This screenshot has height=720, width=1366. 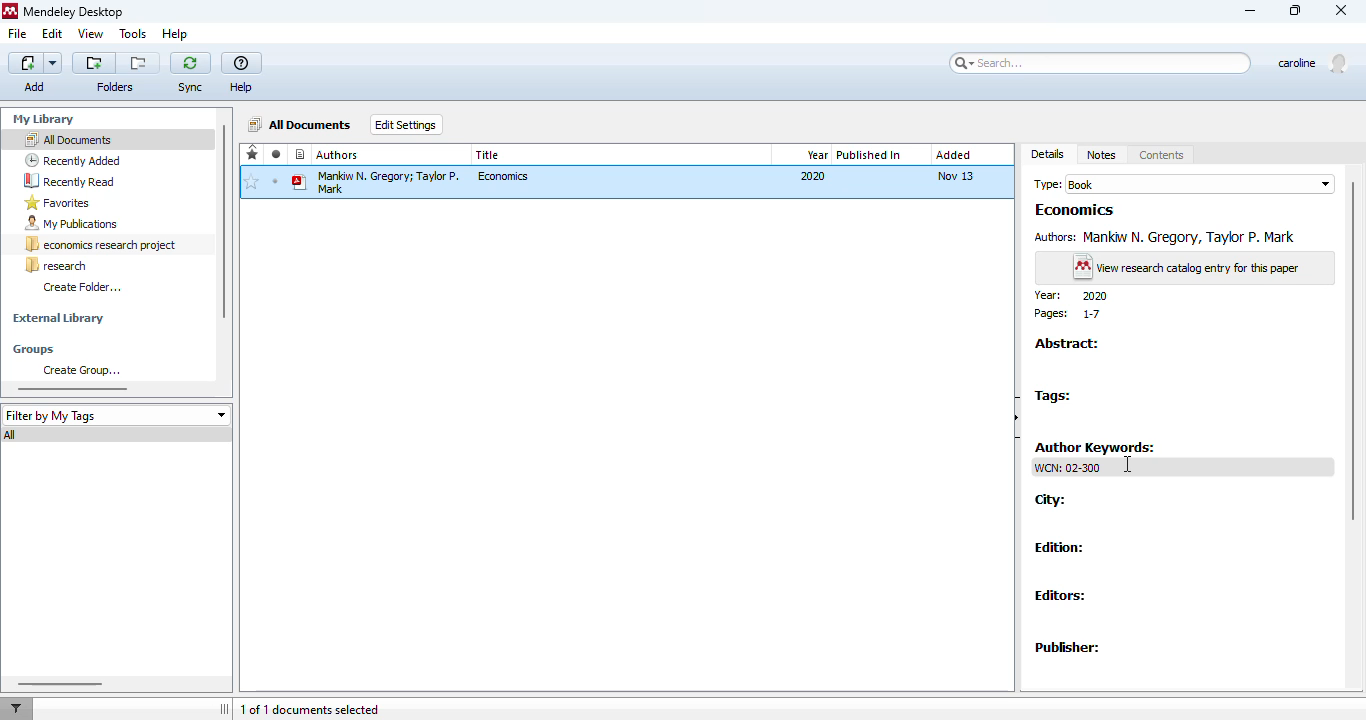 What do you see at coordinates (224, 221) in the screenshot?
I see `vertical scroll bar` at bounding box center [224, 221].